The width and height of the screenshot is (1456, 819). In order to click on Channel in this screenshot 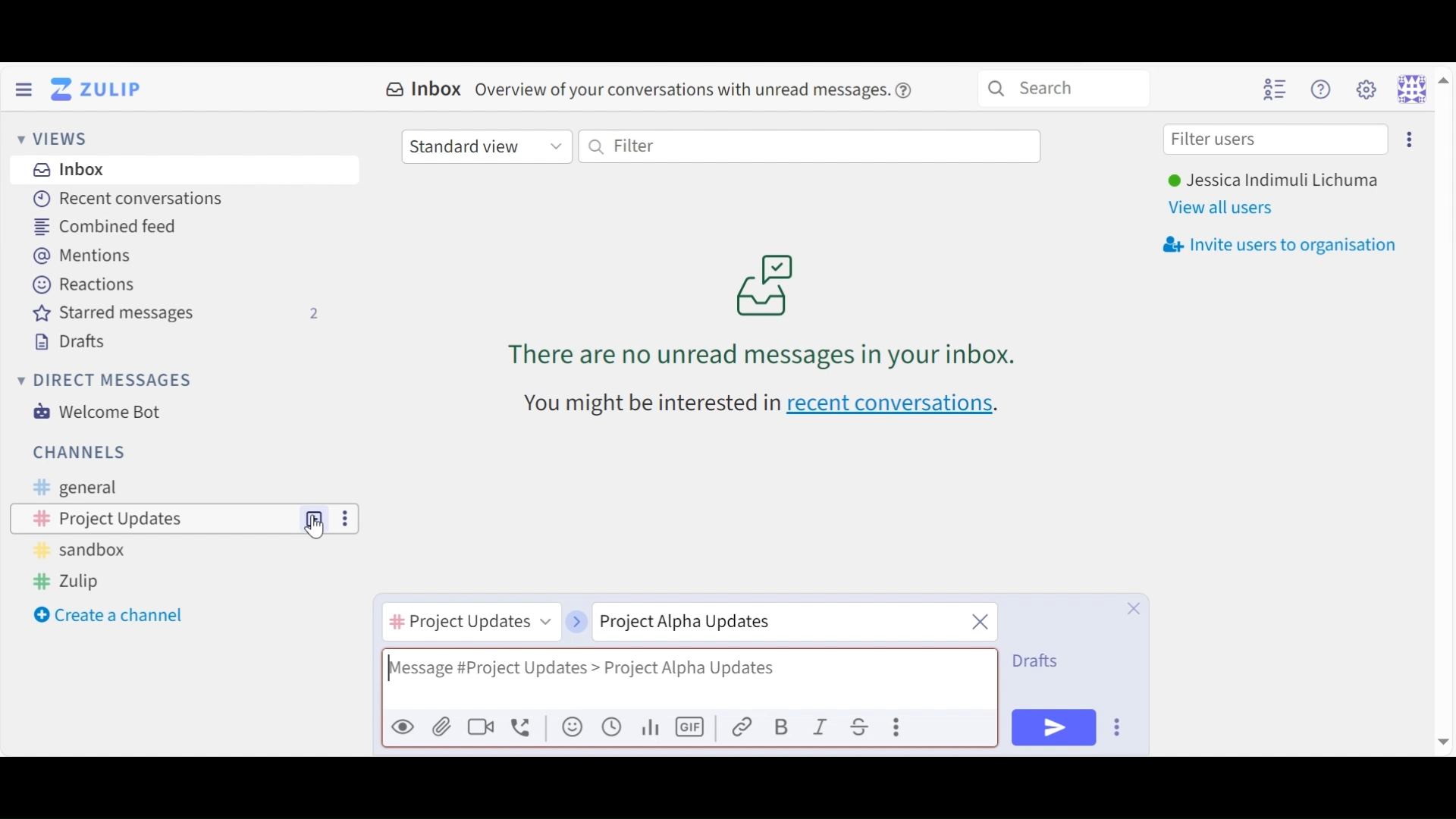, I will do `click(80, 451)`.